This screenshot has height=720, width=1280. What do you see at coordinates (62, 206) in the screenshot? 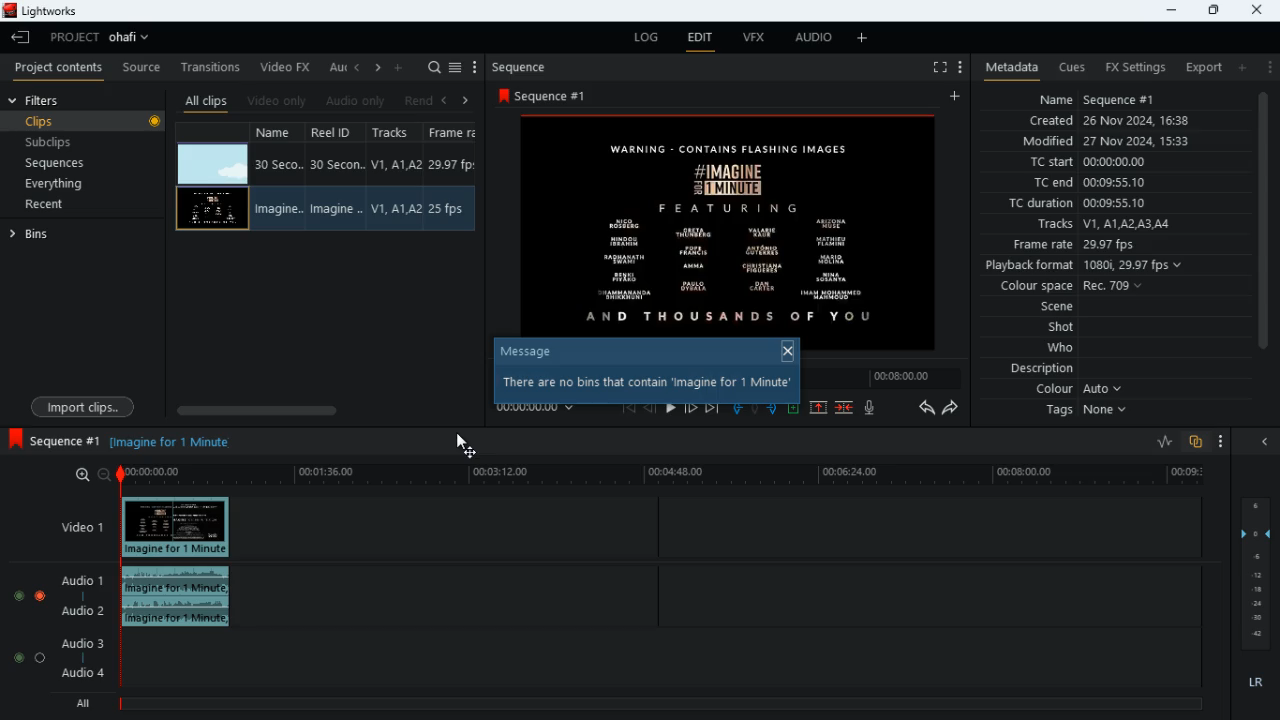
I see `recent` at bounding box center [62, 206].